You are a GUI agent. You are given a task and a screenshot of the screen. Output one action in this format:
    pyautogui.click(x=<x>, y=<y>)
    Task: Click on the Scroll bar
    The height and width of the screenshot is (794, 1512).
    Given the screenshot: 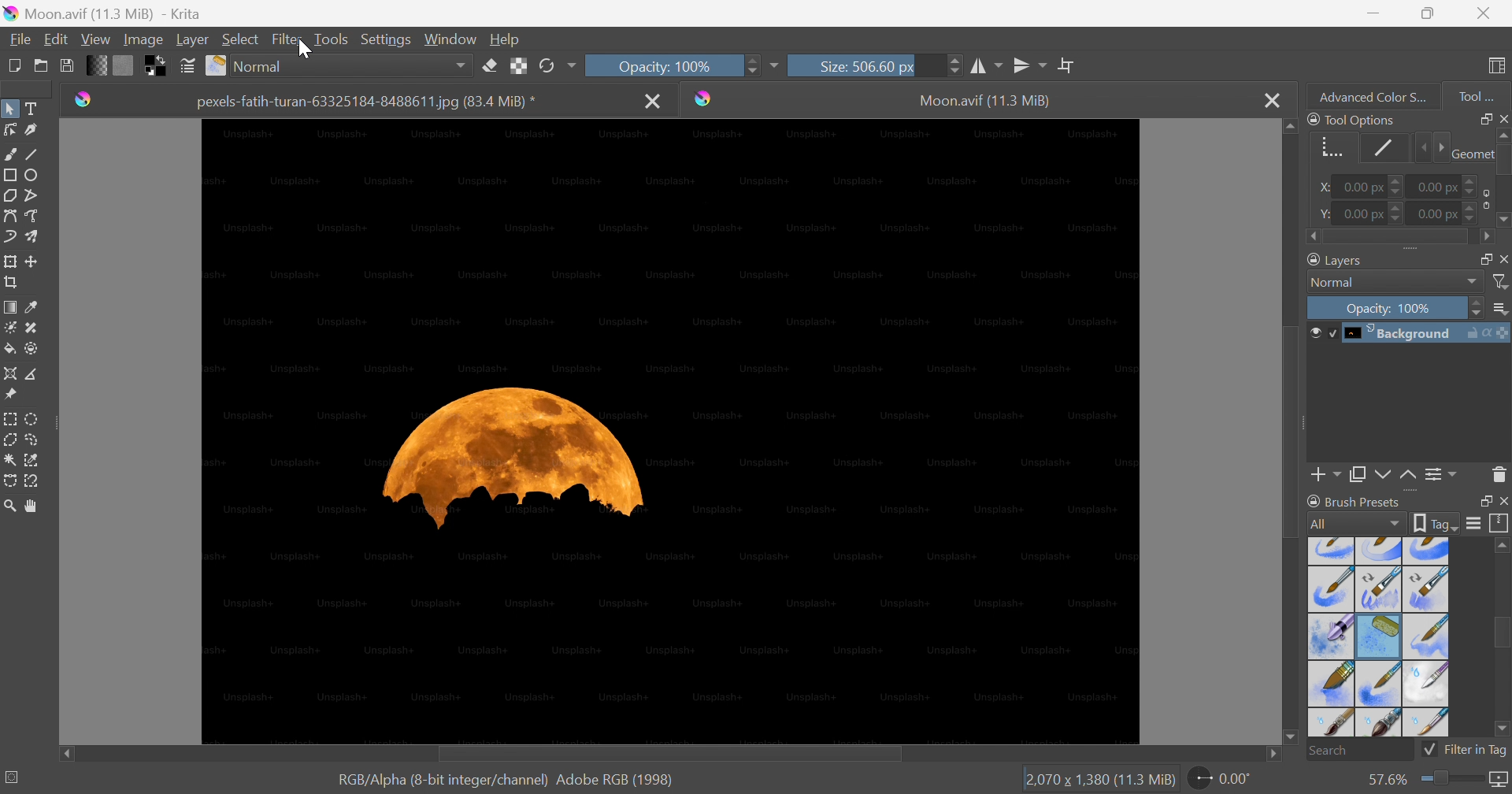 What is the action you would take?
    pyautogui.click(x=1503, y=159)
    